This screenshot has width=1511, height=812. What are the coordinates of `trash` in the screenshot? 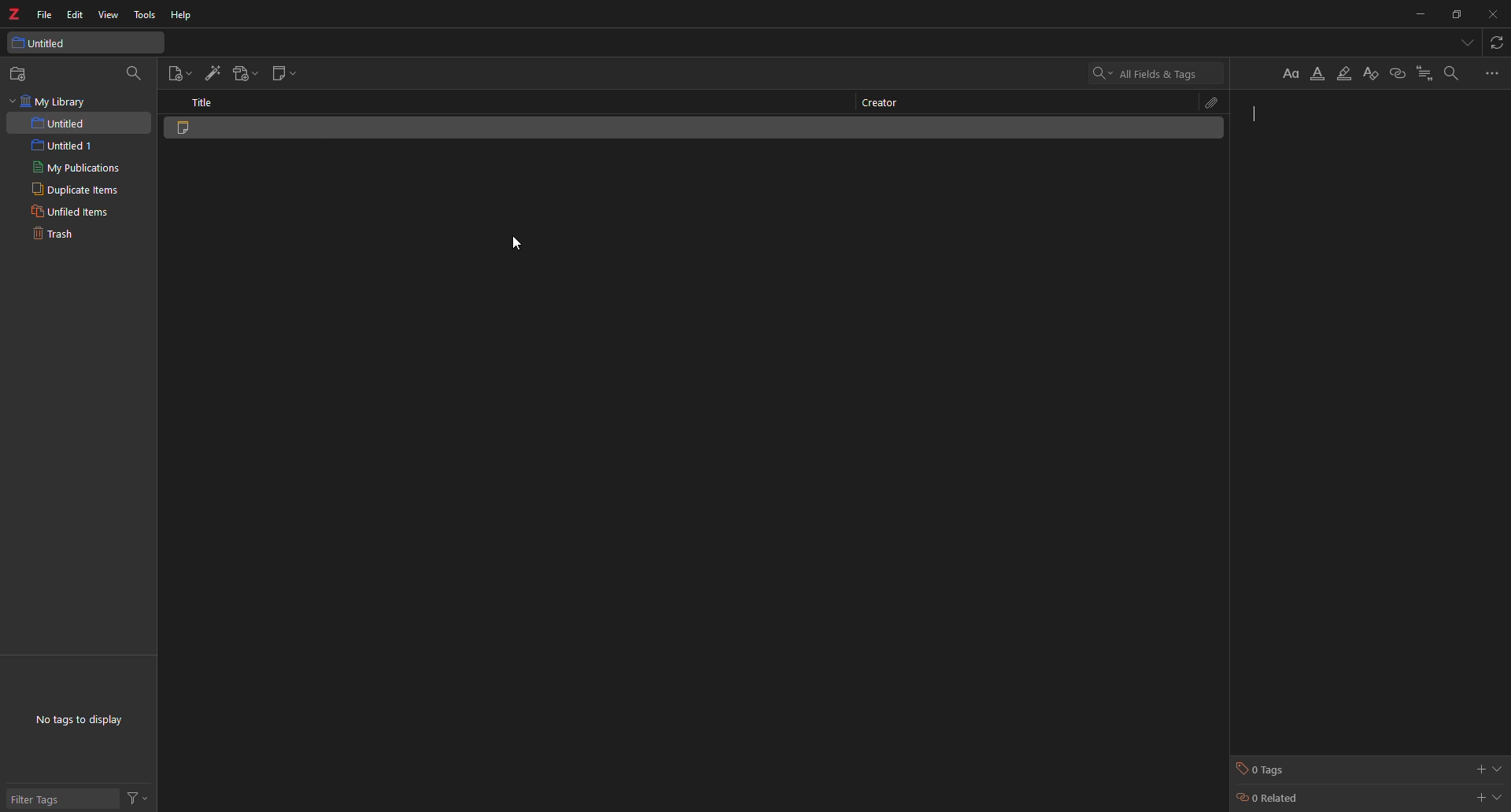 It's located at (57, 235).